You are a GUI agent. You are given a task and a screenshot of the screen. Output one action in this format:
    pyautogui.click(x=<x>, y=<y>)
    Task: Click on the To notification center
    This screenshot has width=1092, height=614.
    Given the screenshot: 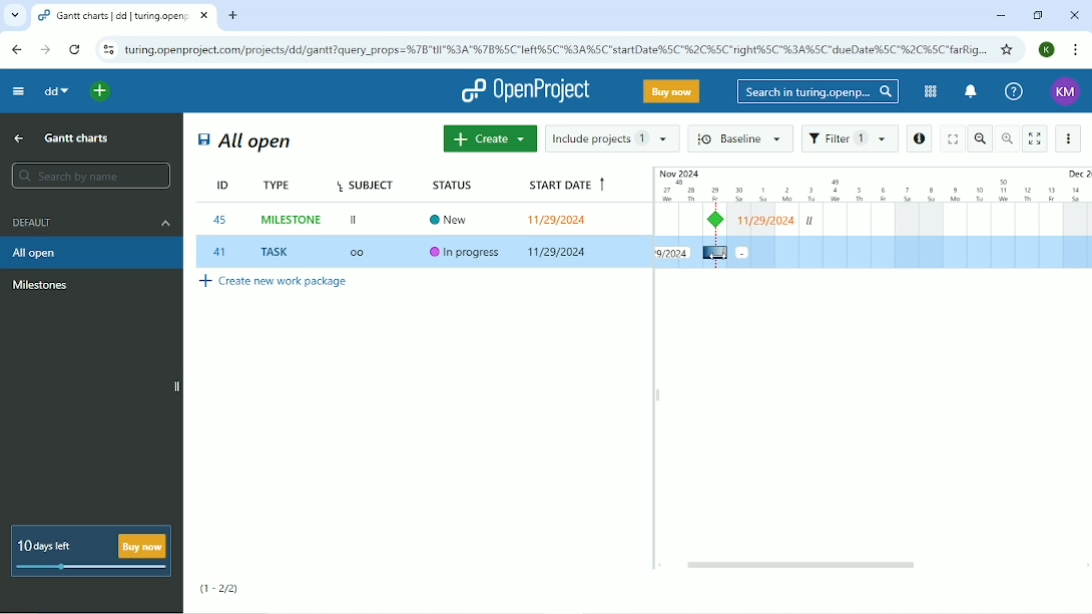 What is the action you would take?
    pyautogui.click(x=969, y=92)
    